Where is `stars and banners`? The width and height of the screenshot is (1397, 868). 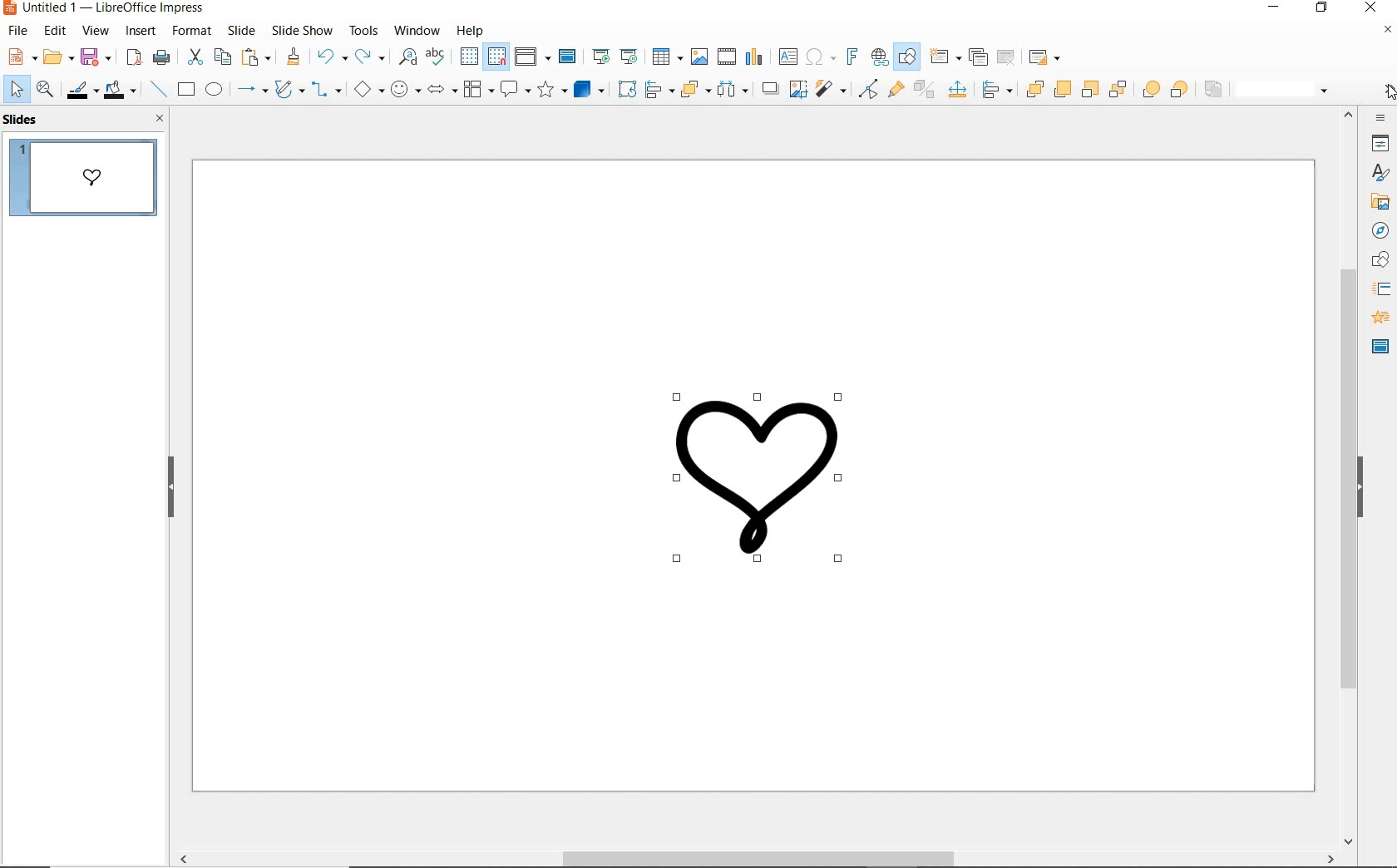 stars and banners is located at coordinates (550, 89).